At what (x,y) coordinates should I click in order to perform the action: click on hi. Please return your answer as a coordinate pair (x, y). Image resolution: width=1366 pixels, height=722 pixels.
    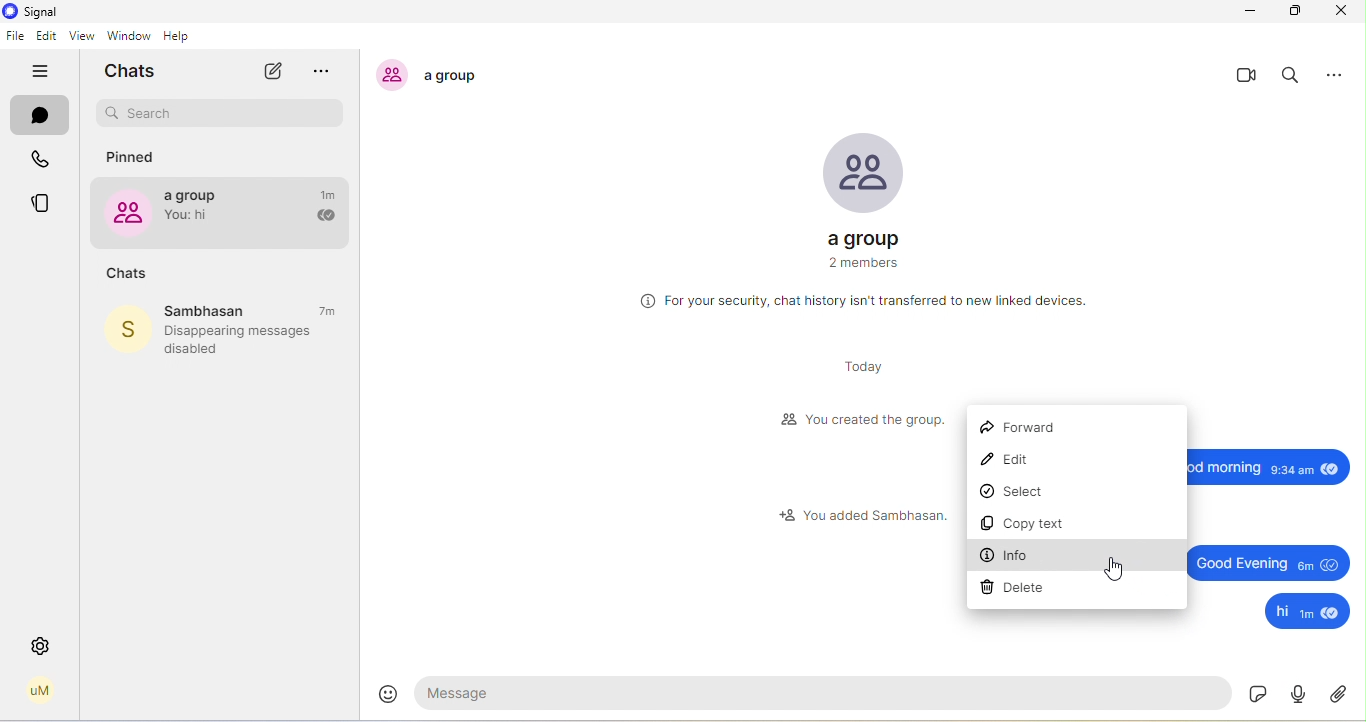
    Looking at the image, I should click on (1308, 612).